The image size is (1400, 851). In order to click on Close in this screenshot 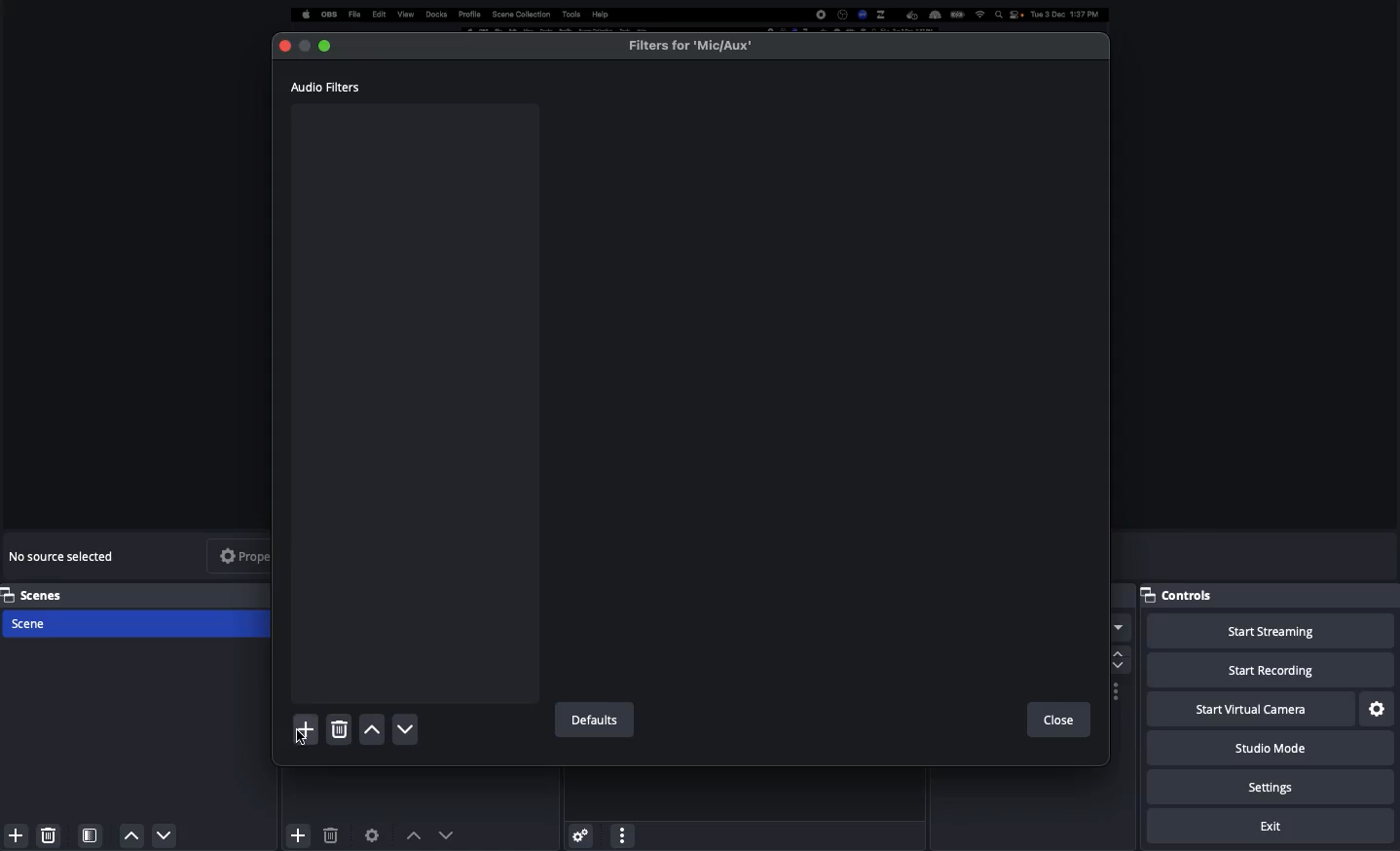, I will do `click(284, 47)`.